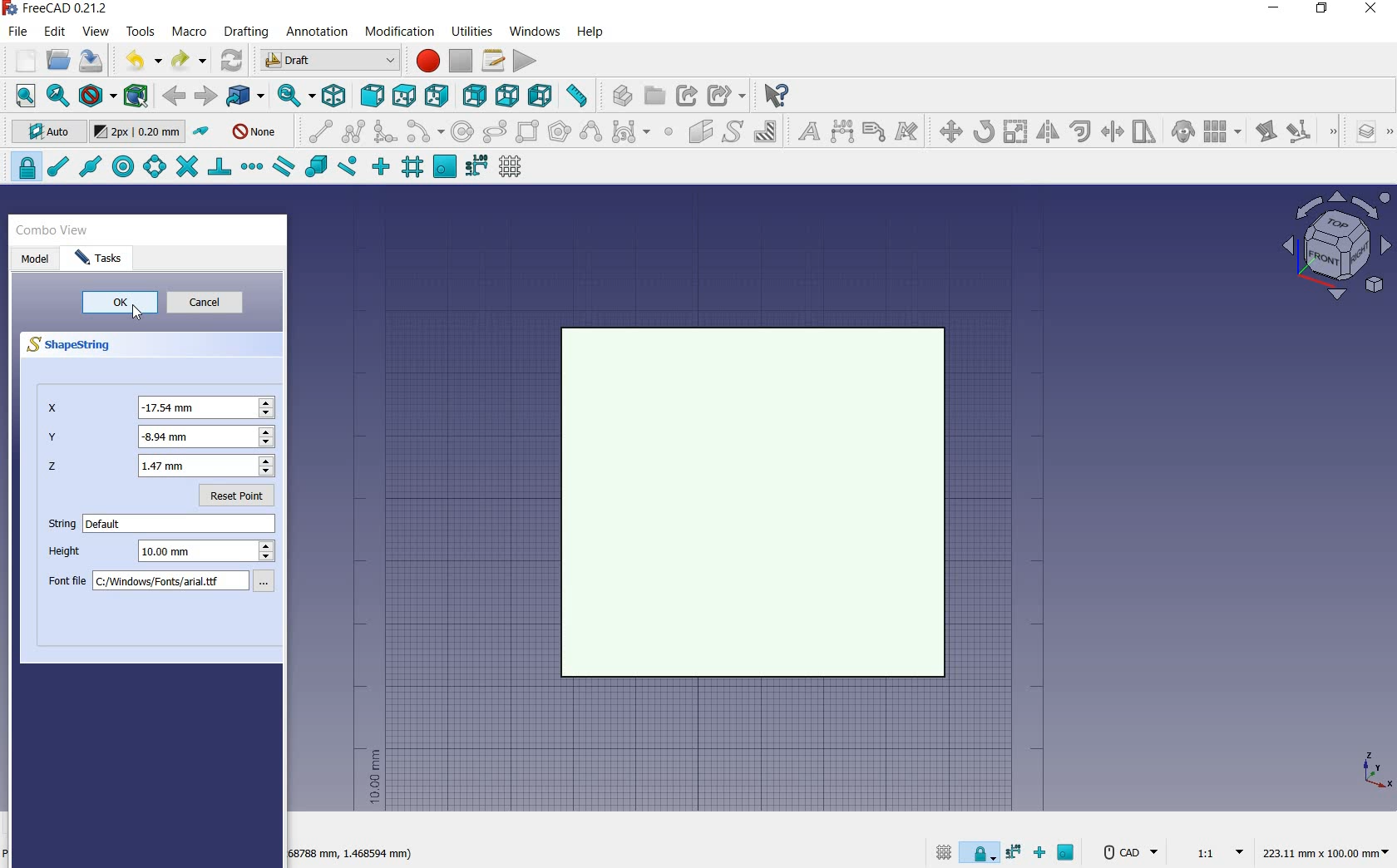  What do you see at coordinates (1265, 133) in the screenshot?
I see `edit` at bounding box center [1265, 133].